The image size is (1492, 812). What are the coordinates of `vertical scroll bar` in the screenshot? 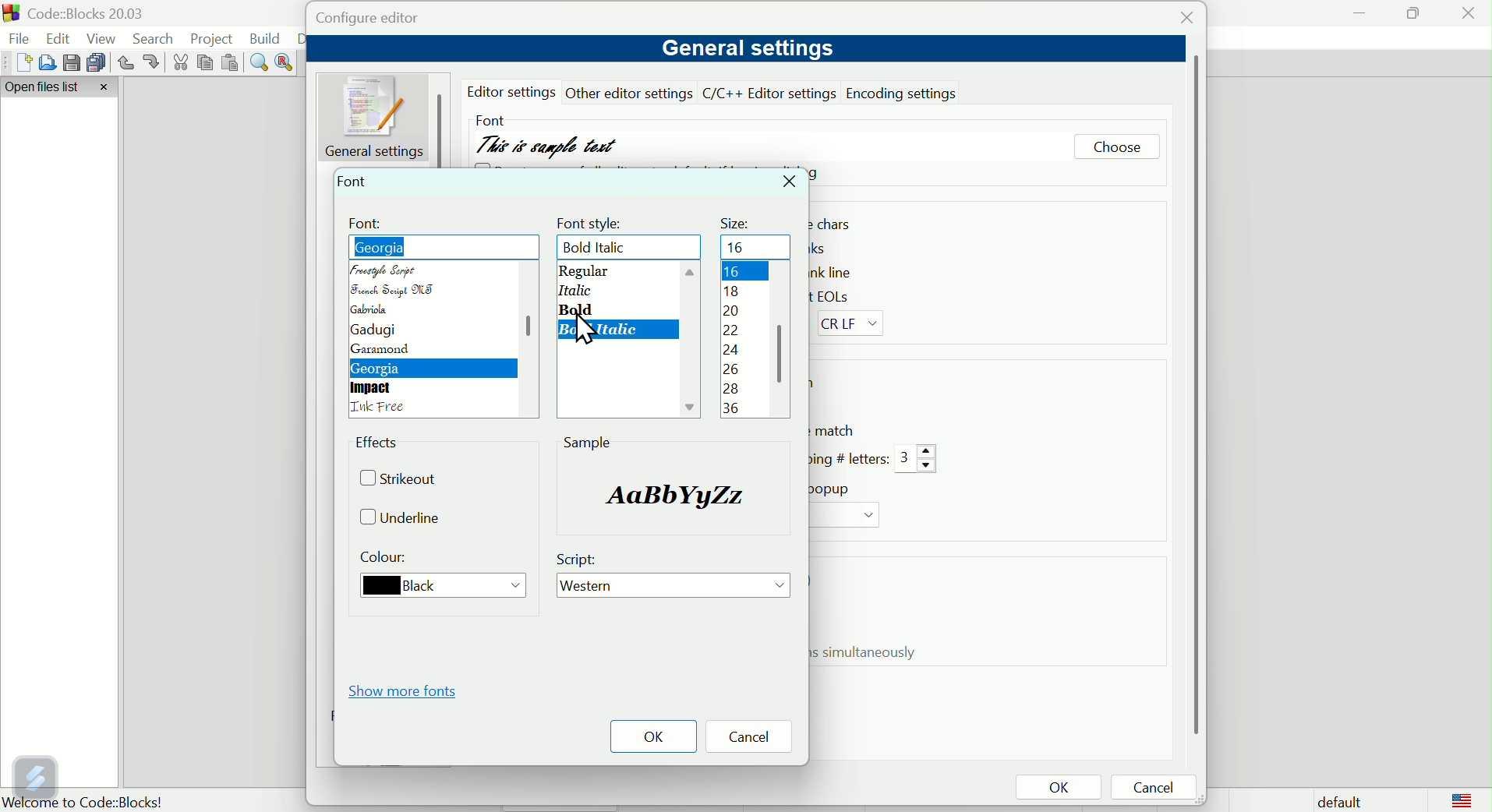 It's located at (1193, 395).